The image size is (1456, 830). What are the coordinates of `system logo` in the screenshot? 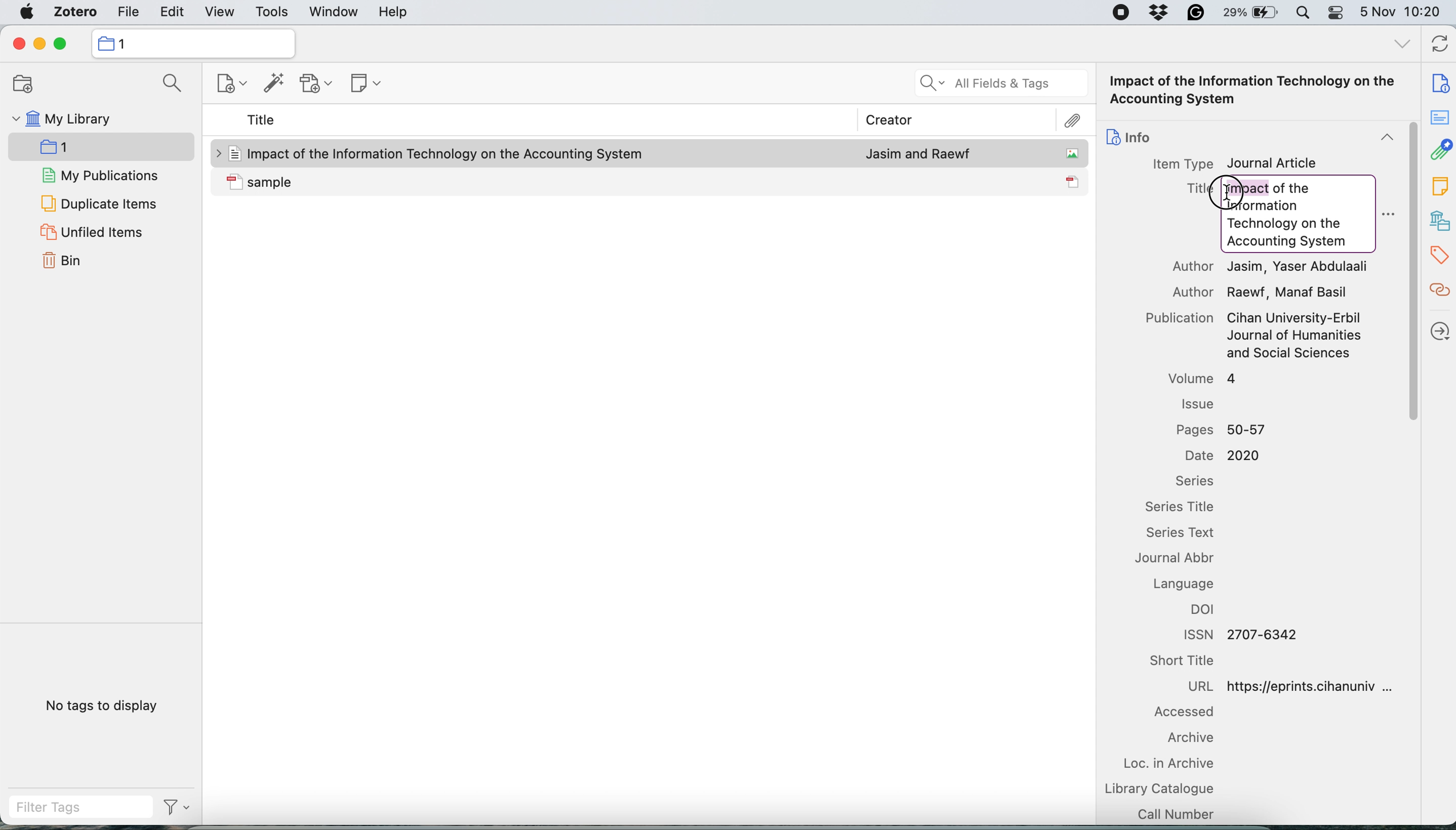 It's located at (25, 13).